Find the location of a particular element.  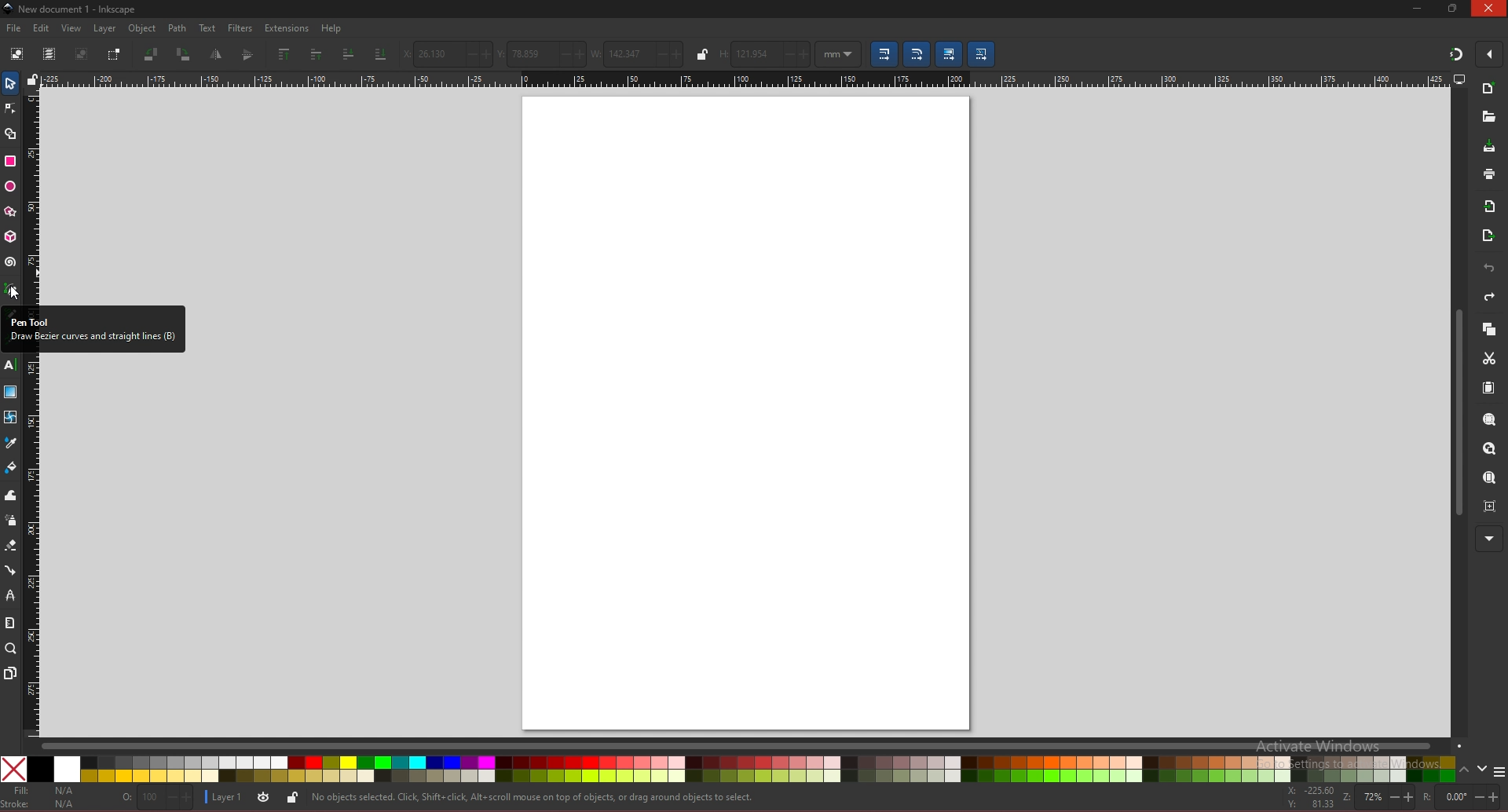

toggle selection box is located at coordinates (113, 54).